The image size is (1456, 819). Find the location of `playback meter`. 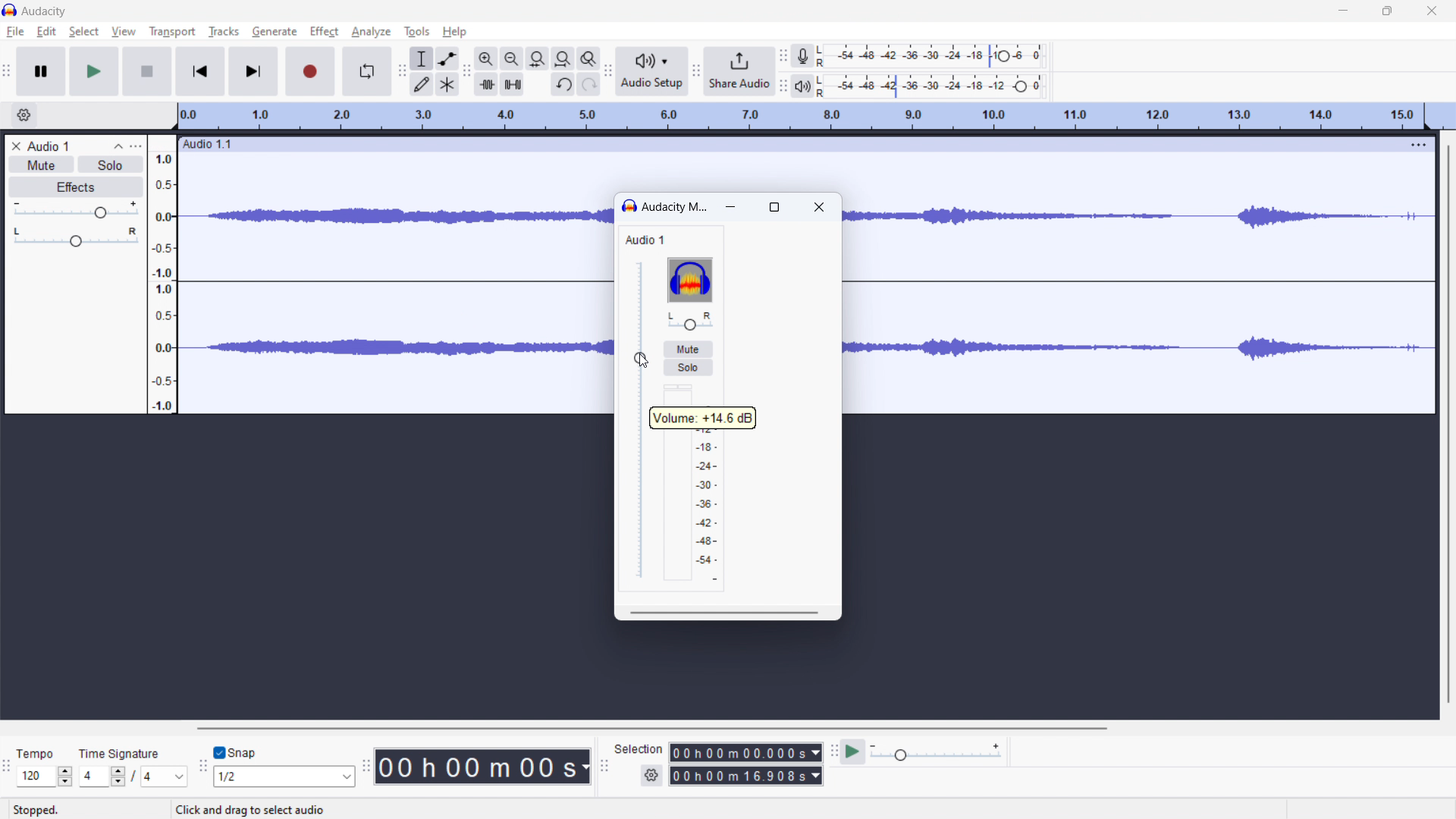

playback meter is located at coordinates (803, 86).